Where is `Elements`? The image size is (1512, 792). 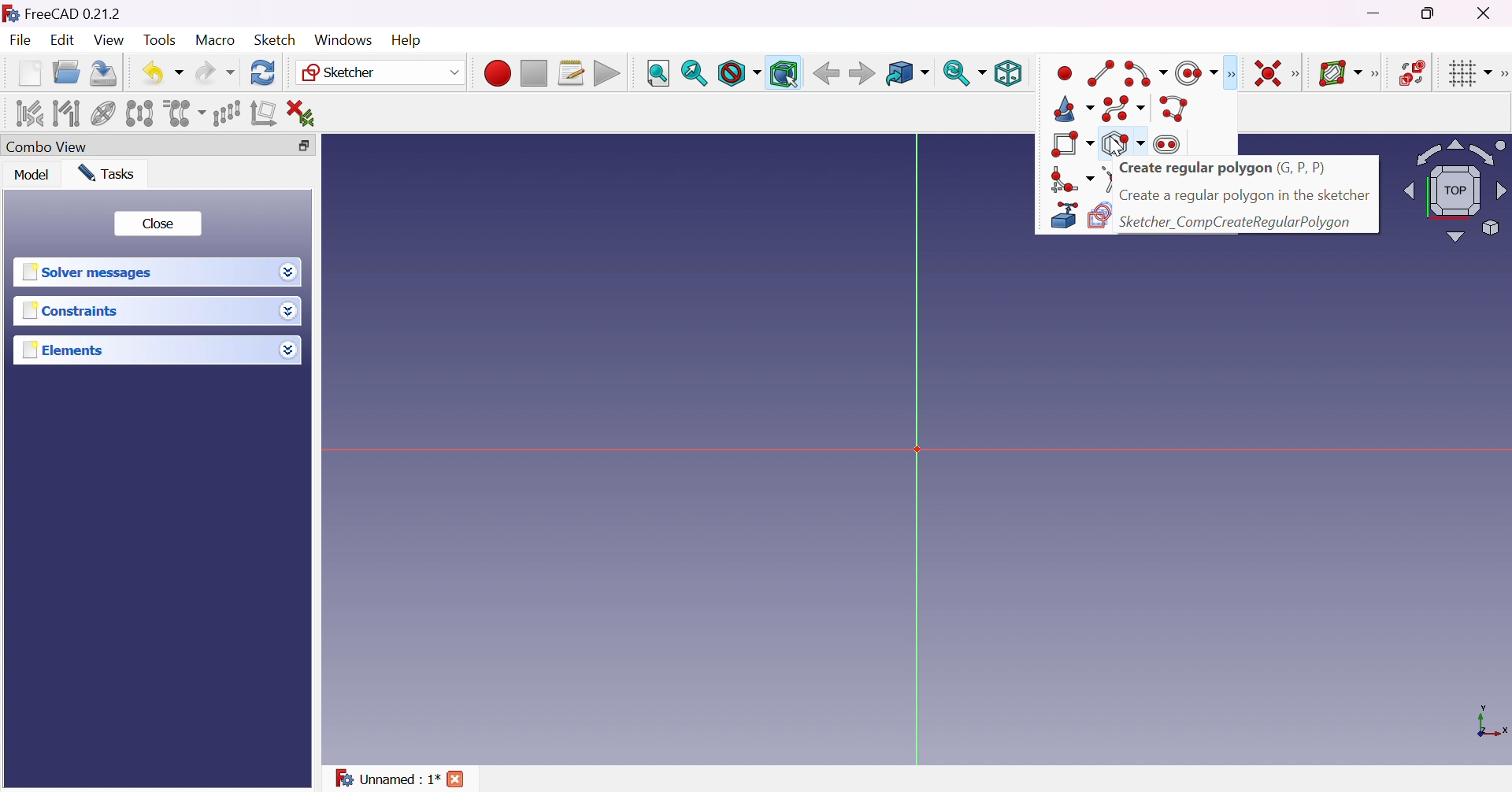
Elements is located at coordinates (66, 350).